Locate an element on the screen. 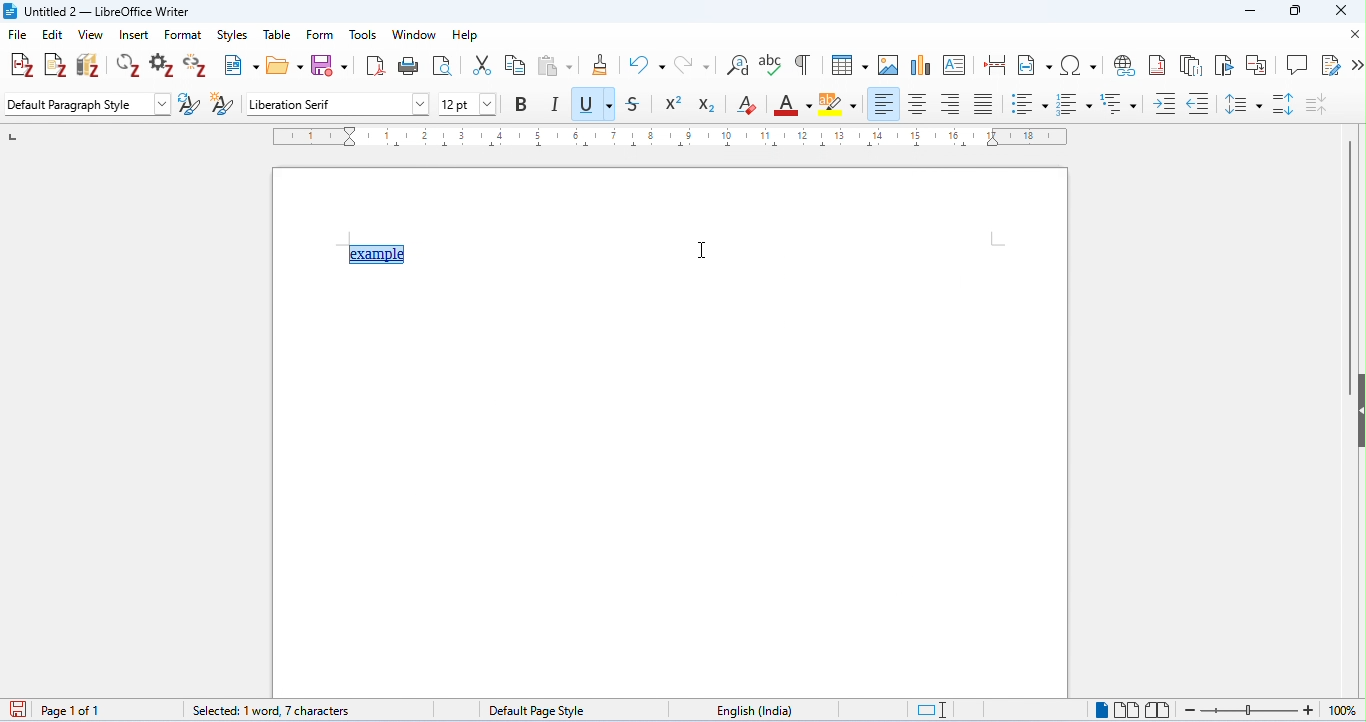  bold is located at coordinates (522, 104).